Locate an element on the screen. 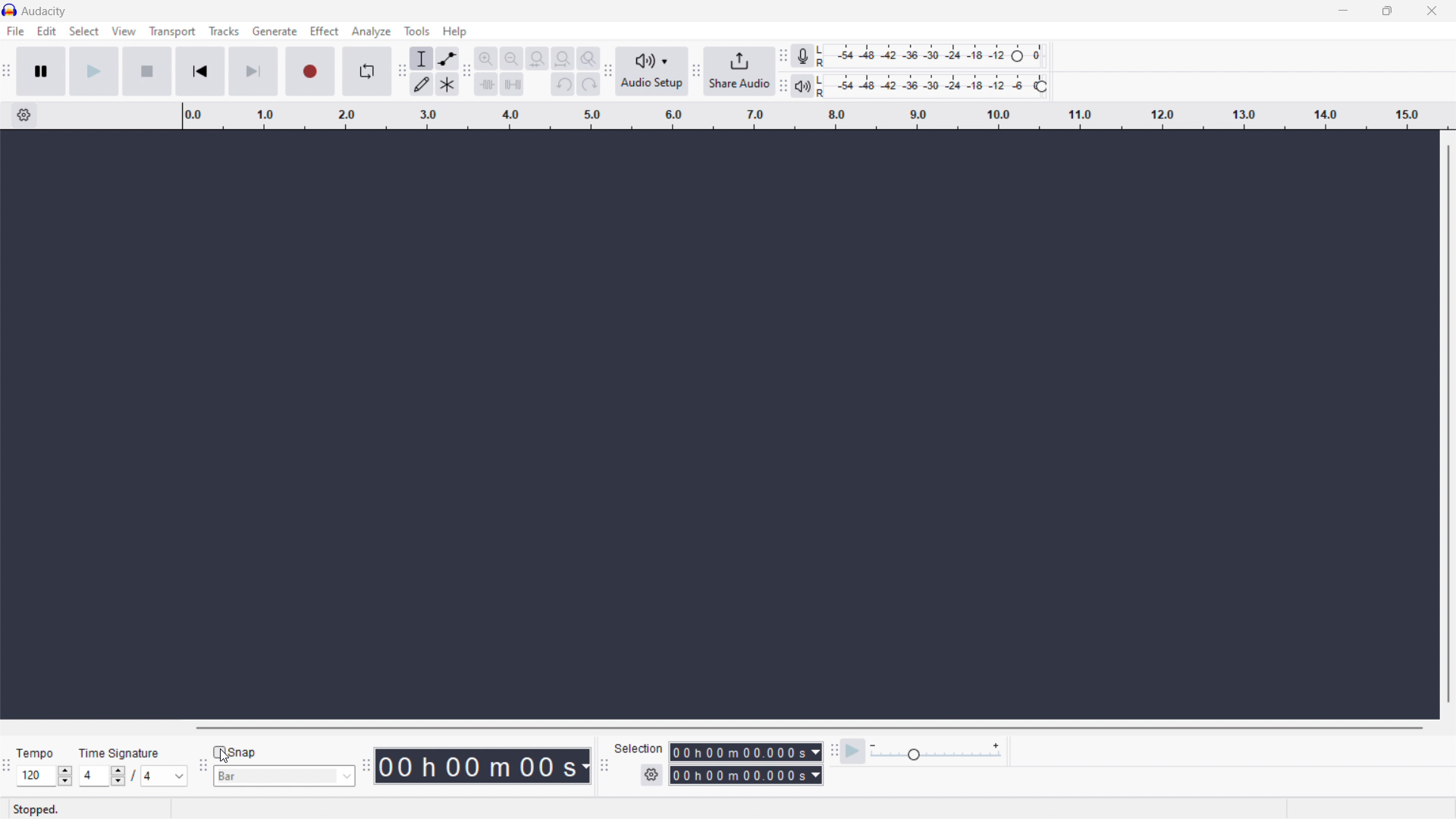 This screenshot has height=819, width=1456. undo is located at coordinates (563, 83).